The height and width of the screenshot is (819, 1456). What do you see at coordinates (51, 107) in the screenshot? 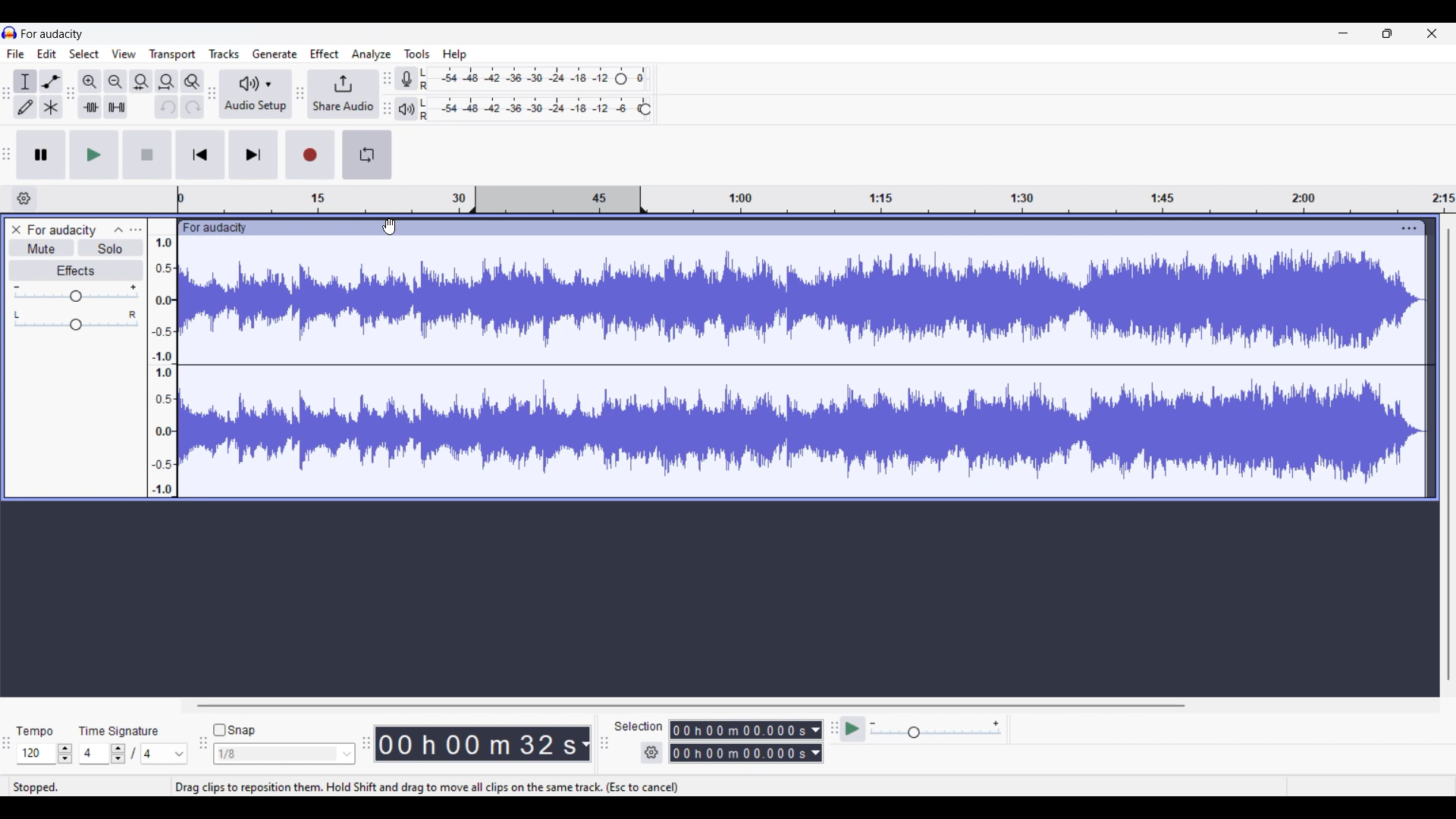
I see `Multi-tool` at bounding box center [51, 107].